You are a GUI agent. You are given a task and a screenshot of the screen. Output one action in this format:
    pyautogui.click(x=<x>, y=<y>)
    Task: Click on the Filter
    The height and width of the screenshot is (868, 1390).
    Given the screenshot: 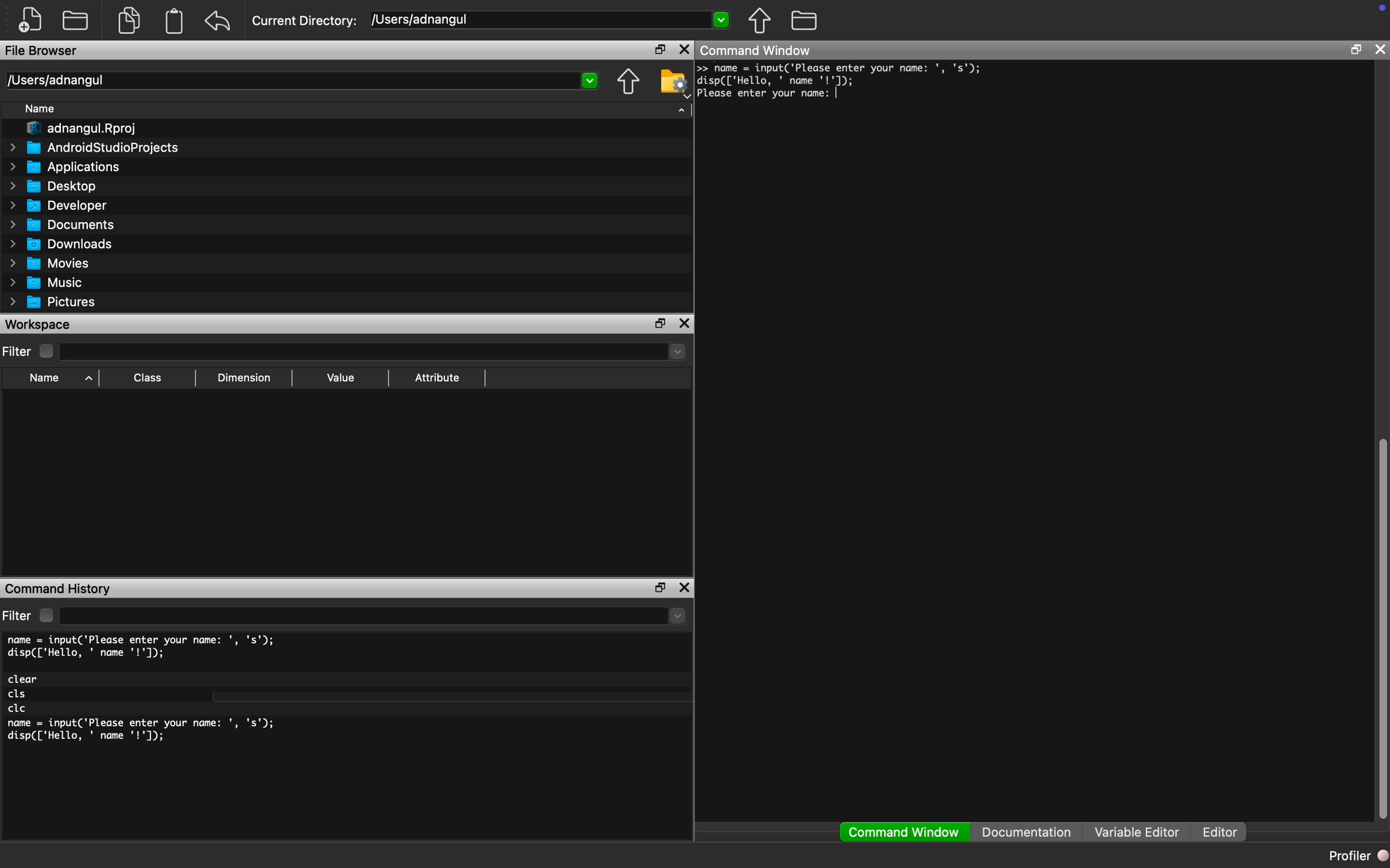 What is the action you would take?
    pyautogui.click(x=30, y=351)
    